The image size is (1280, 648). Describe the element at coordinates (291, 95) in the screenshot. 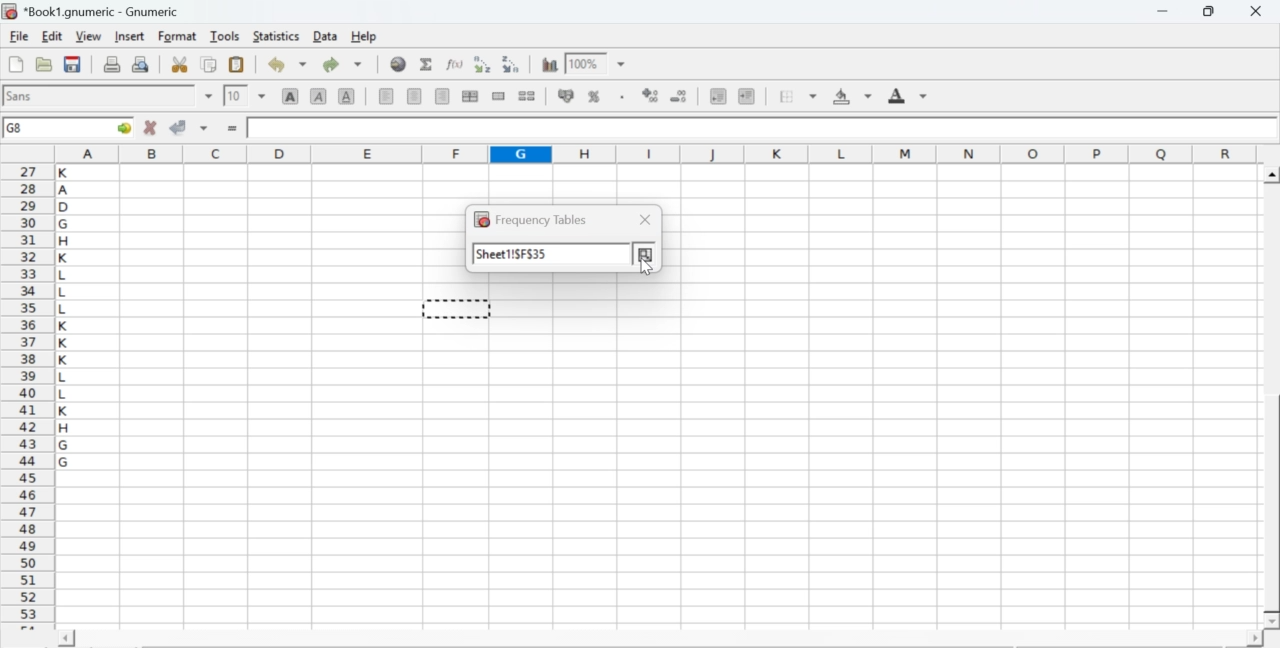

I see `bold` at that location.